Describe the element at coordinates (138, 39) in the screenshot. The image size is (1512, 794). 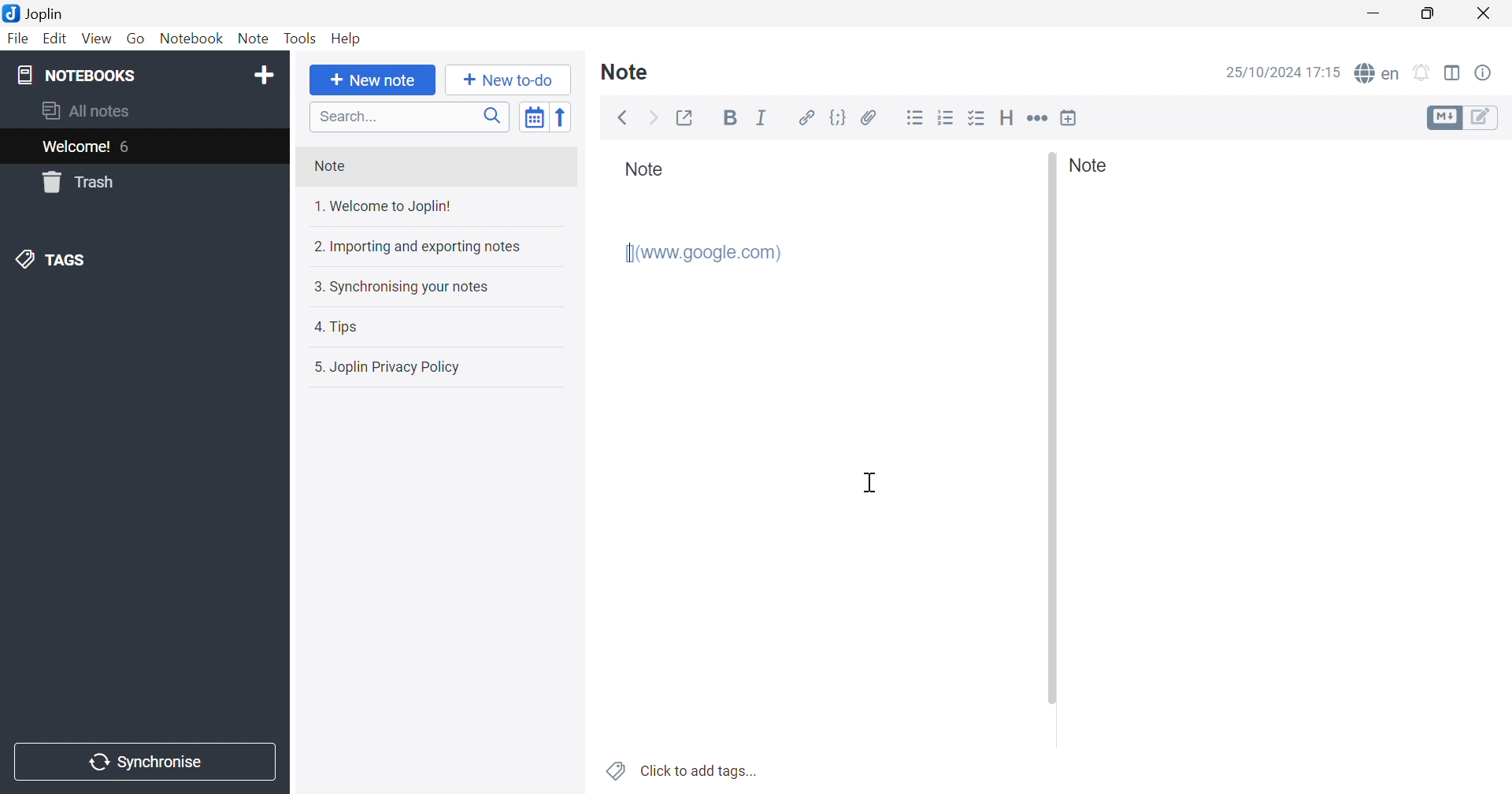
I see `Go` at that location.